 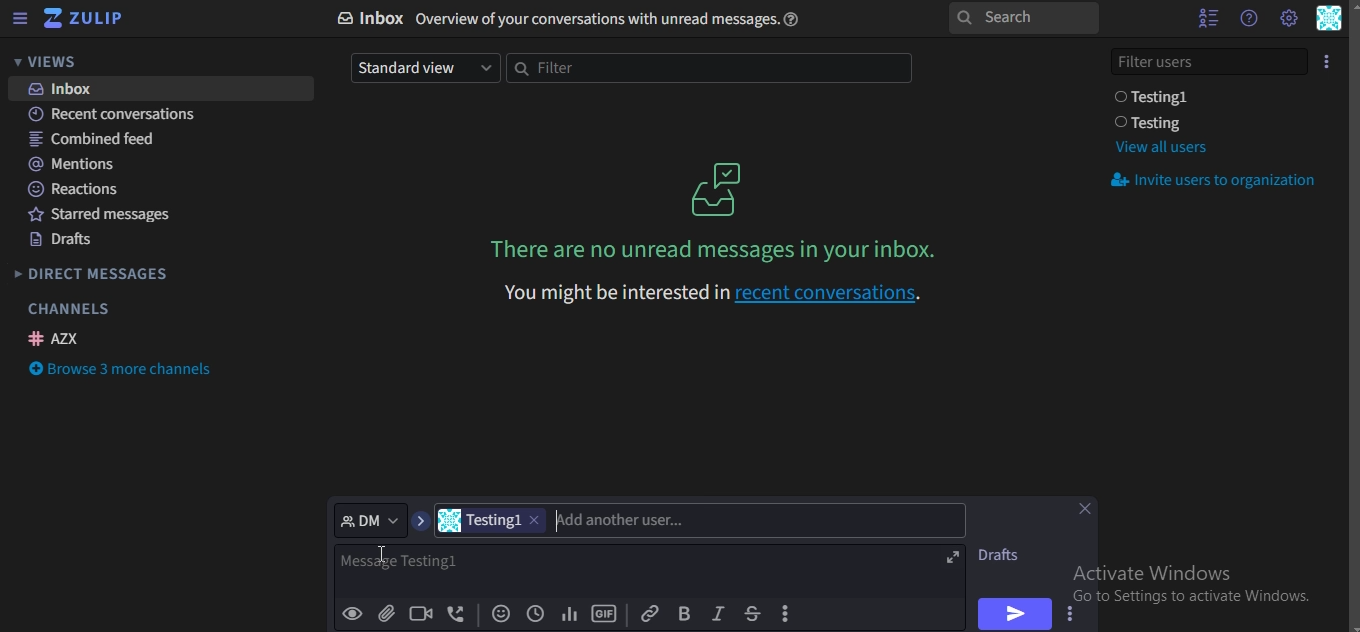 What do you see at coordinates (649, 612) in the screenshot?
I see `link` at bounding box center [649, 612].